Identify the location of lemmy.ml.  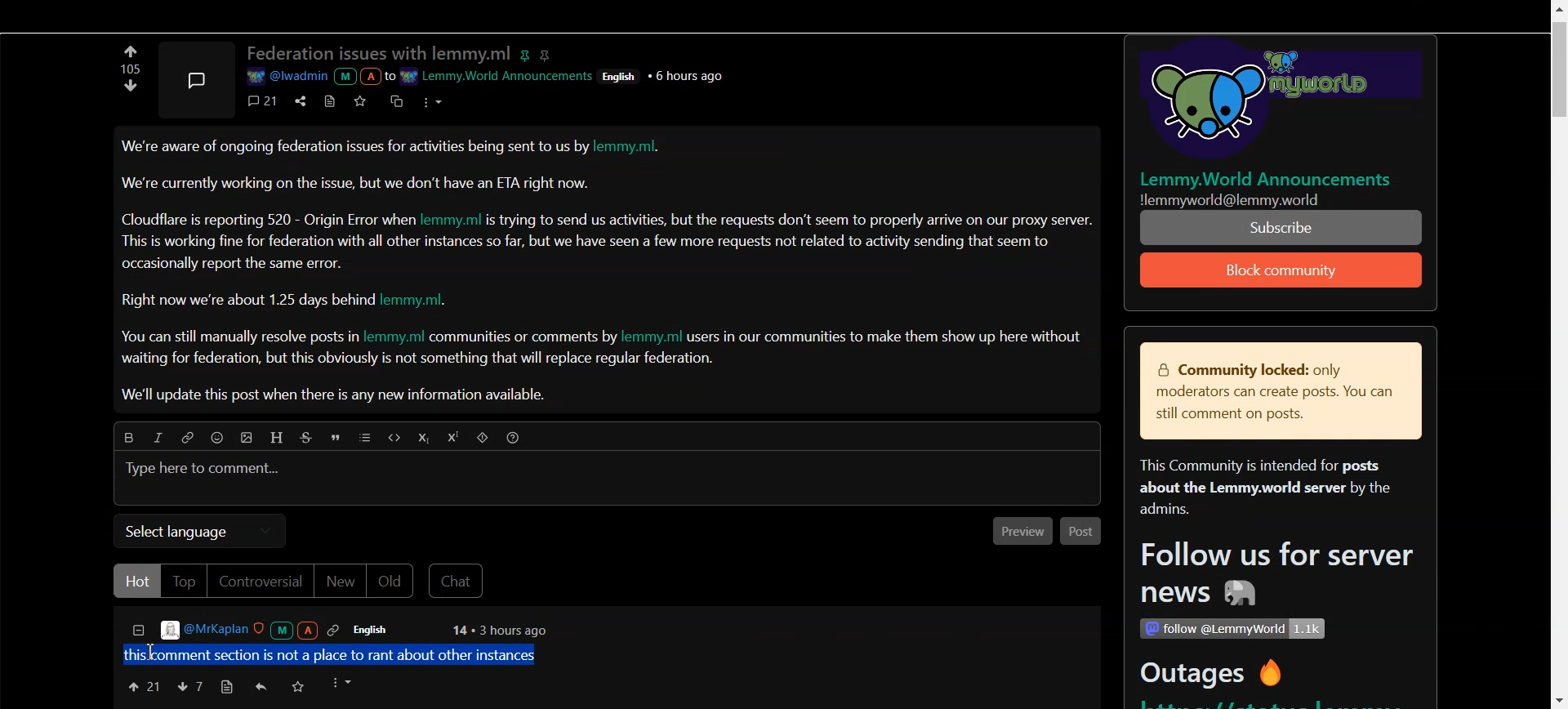
(453, 218).